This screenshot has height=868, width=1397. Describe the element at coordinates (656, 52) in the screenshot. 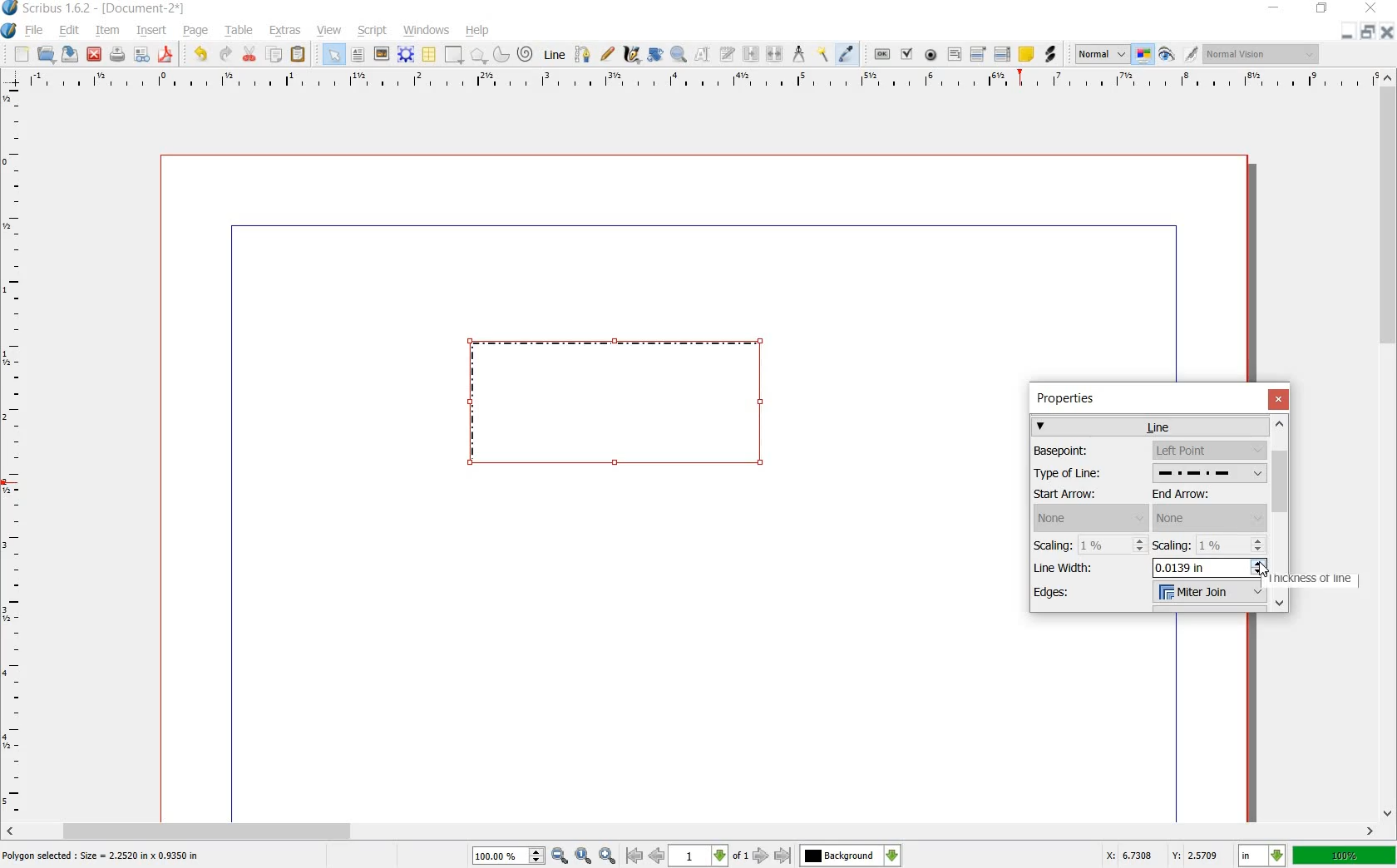

I see `ROTATE ITEM` at that location.